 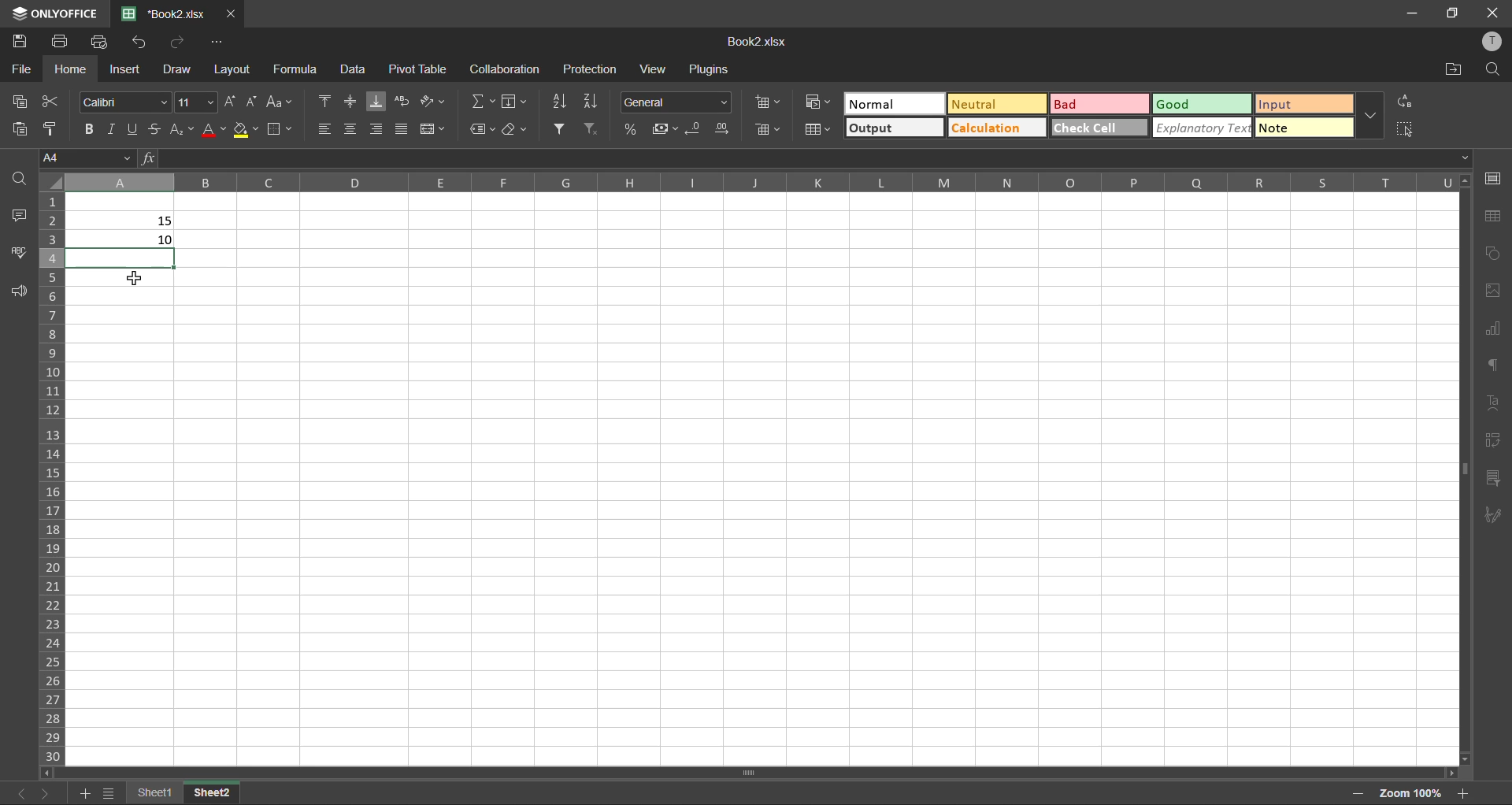 I want to click on insert cells, so click(x=764, y=104).